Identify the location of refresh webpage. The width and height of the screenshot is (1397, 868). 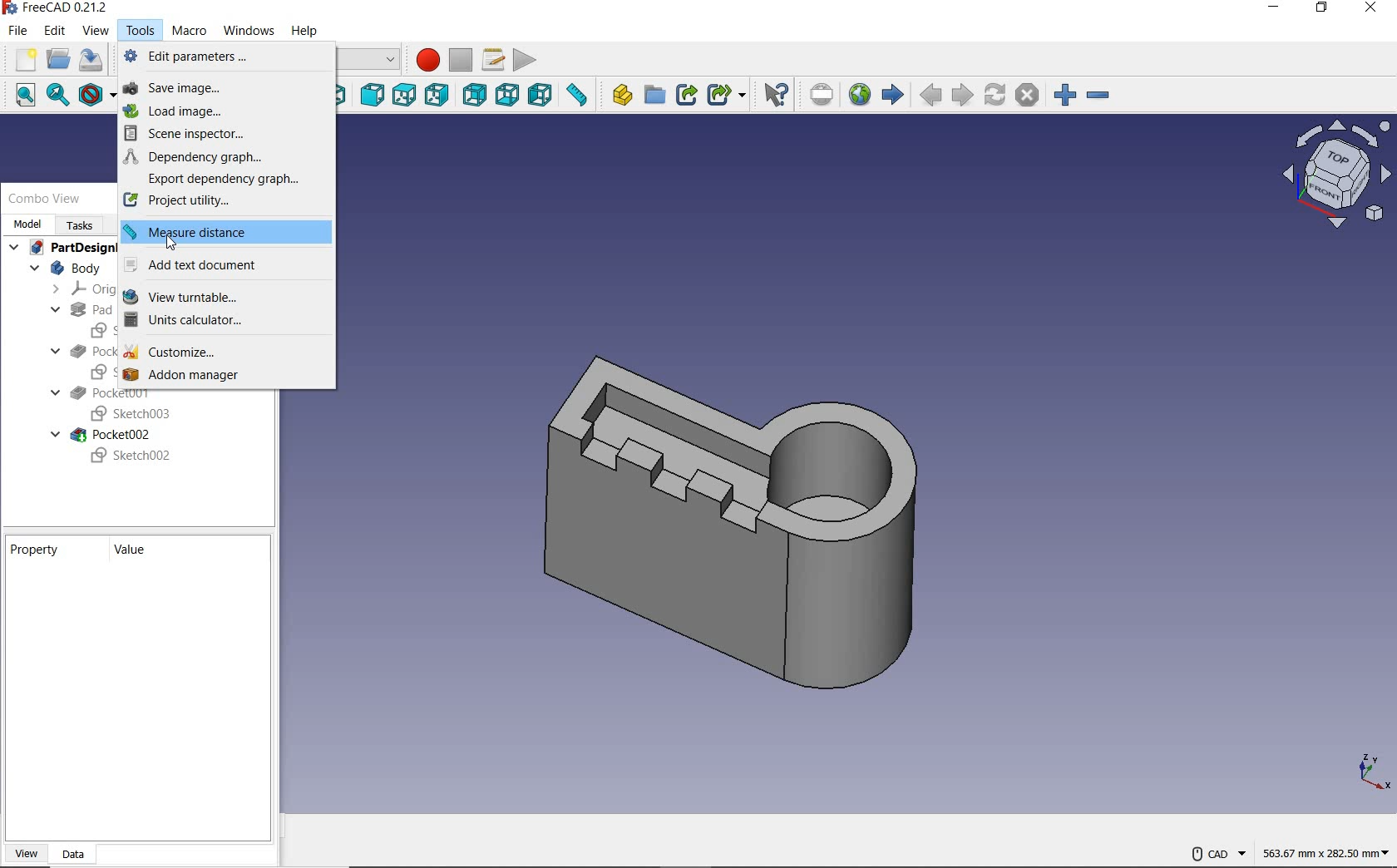
(994, 94).